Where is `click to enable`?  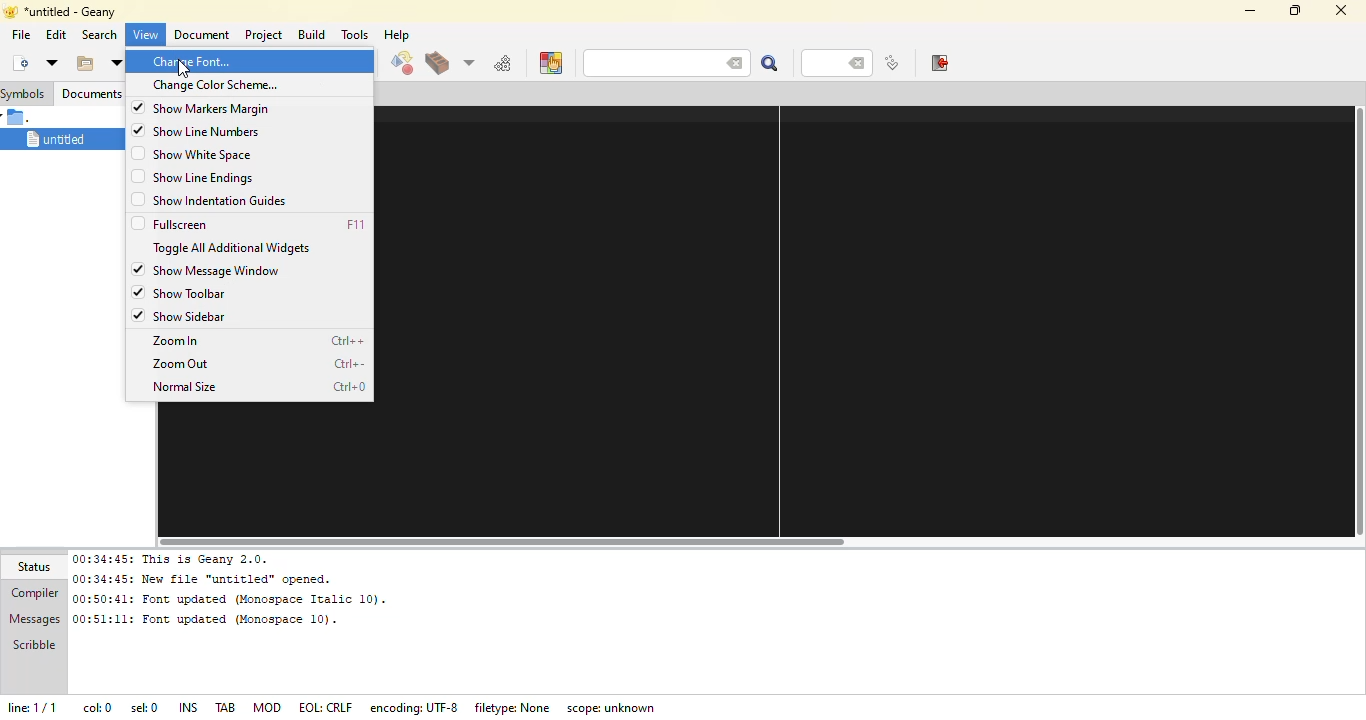
click to enable is located at coordinates (137, 200).